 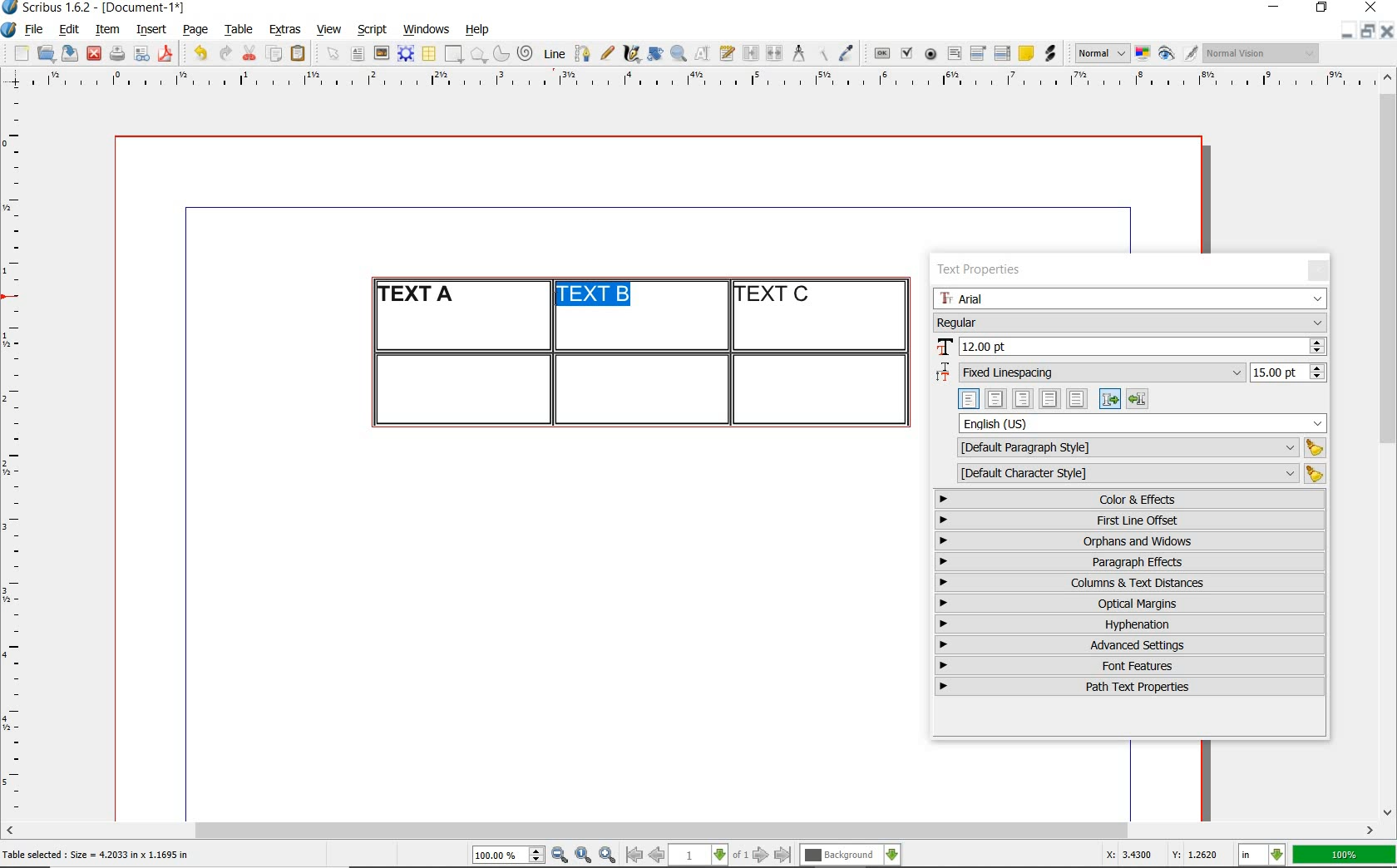 What do you see at coordinates (1025, 54) in the screenshot?
I see `text annotation` at bounding box center [1025, 54].